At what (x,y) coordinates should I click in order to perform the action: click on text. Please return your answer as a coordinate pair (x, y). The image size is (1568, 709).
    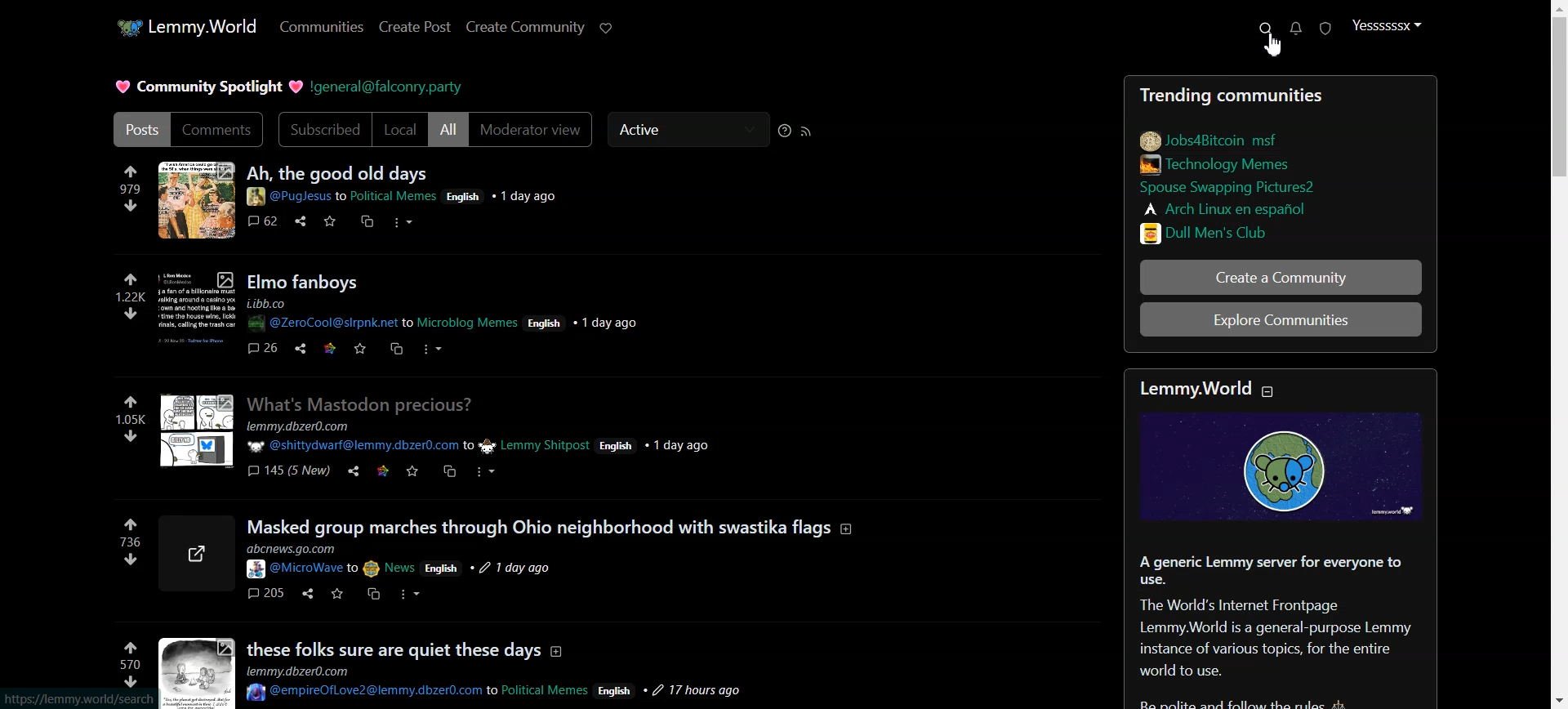
    Looking at the image, I should click on (1198, 390).